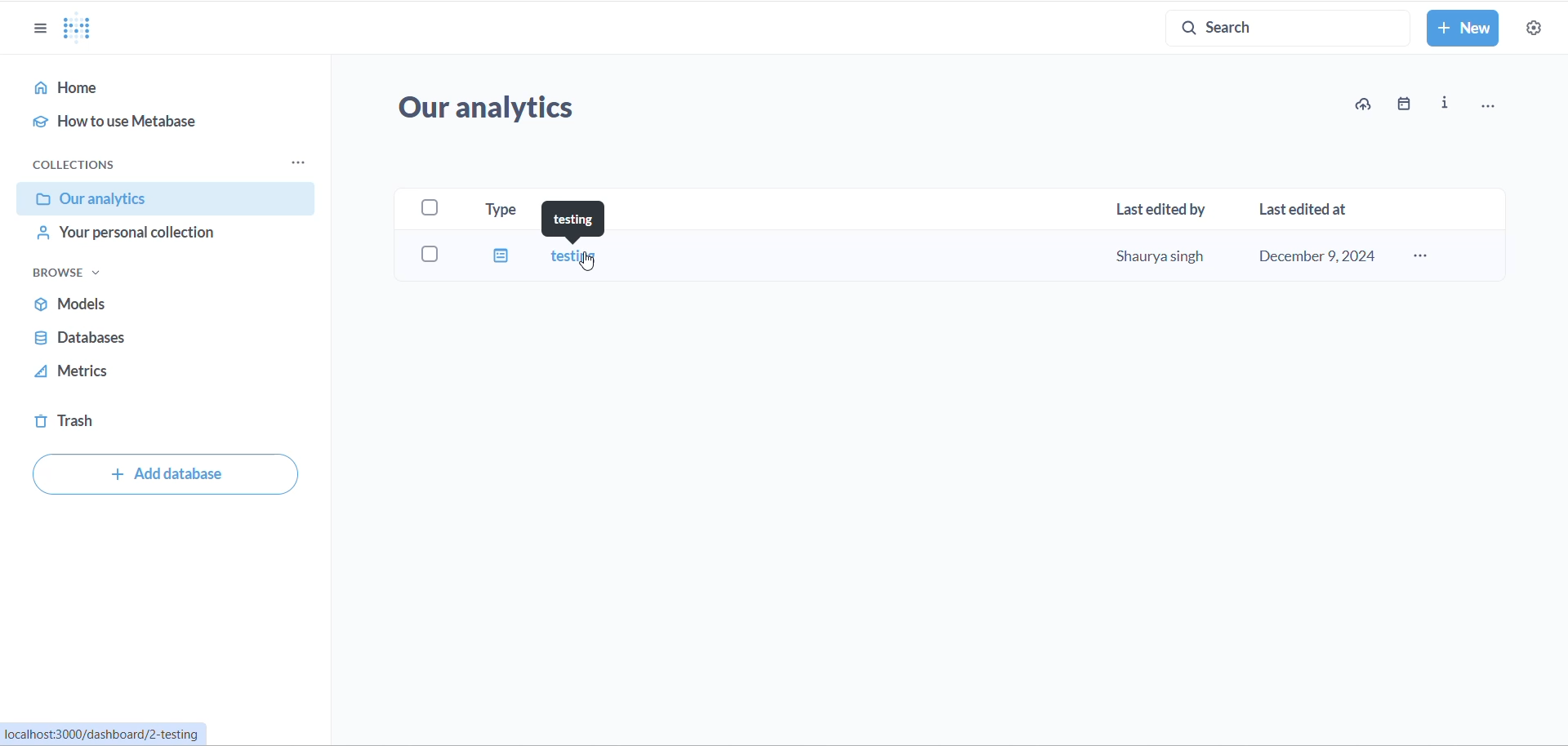 This screenshot has width=1568, height=746. Describe the element at coordinates (416, 251) in the screenshot. I see `select checkbox` at that location.